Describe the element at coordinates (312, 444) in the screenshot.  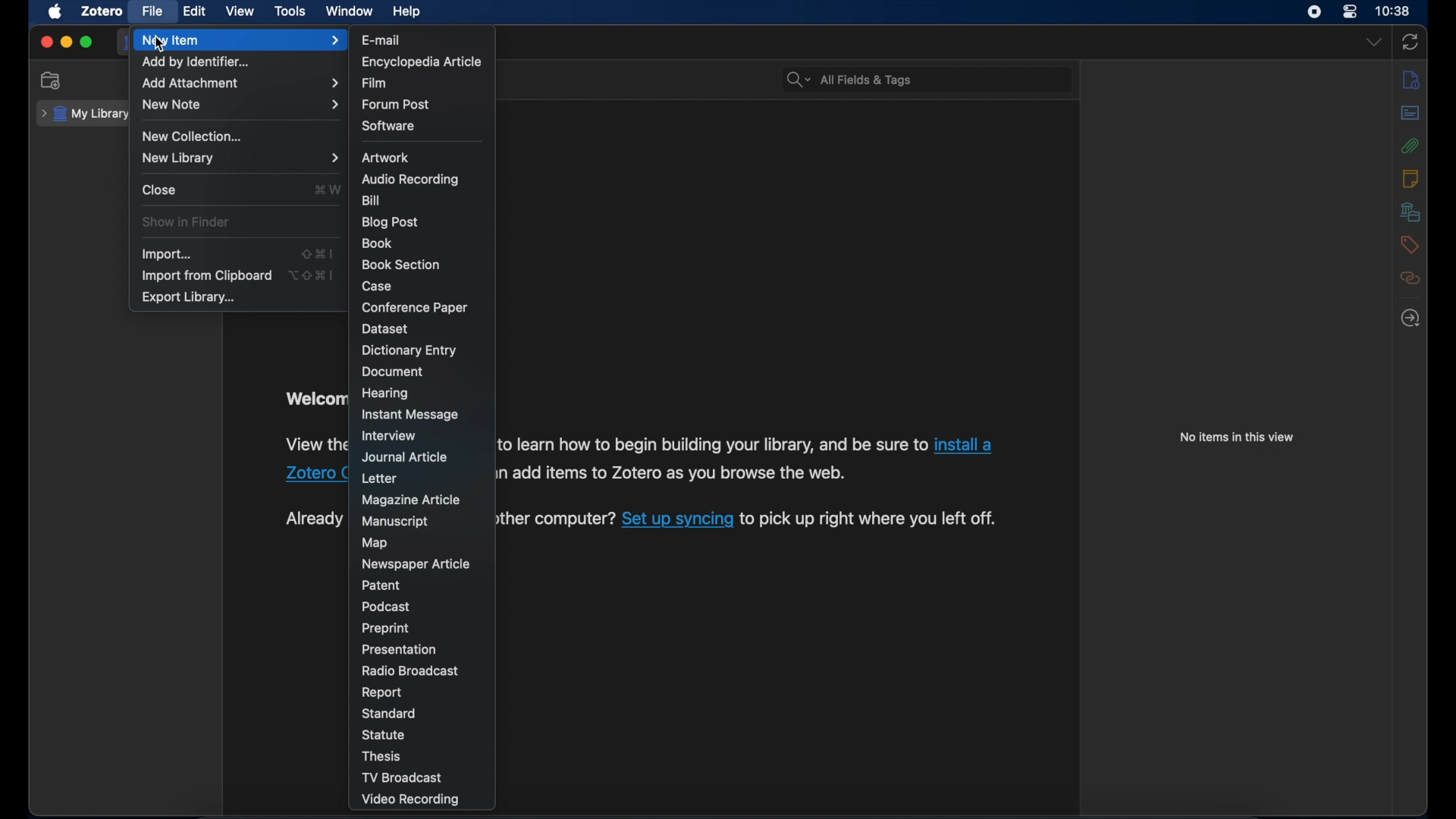
I see `view the` at that location.